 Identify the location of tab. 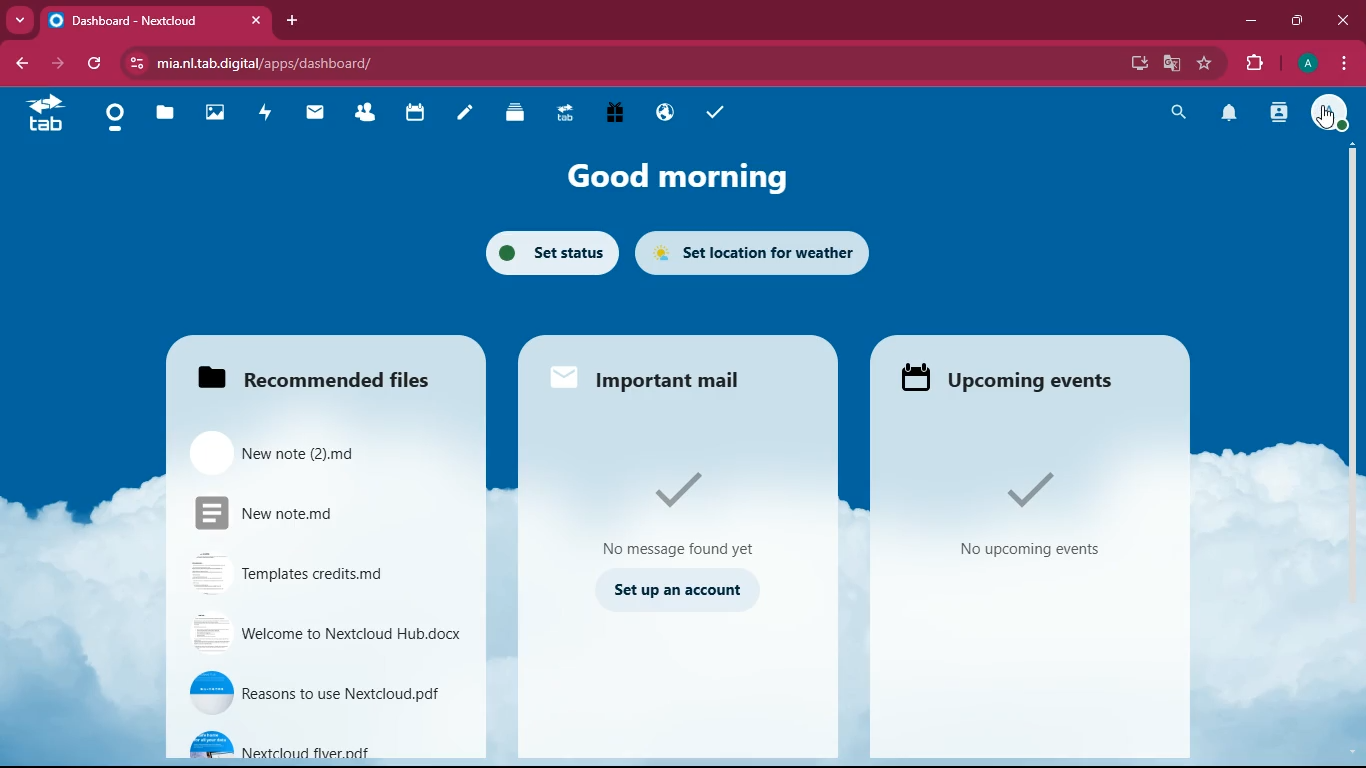
(44, 115).